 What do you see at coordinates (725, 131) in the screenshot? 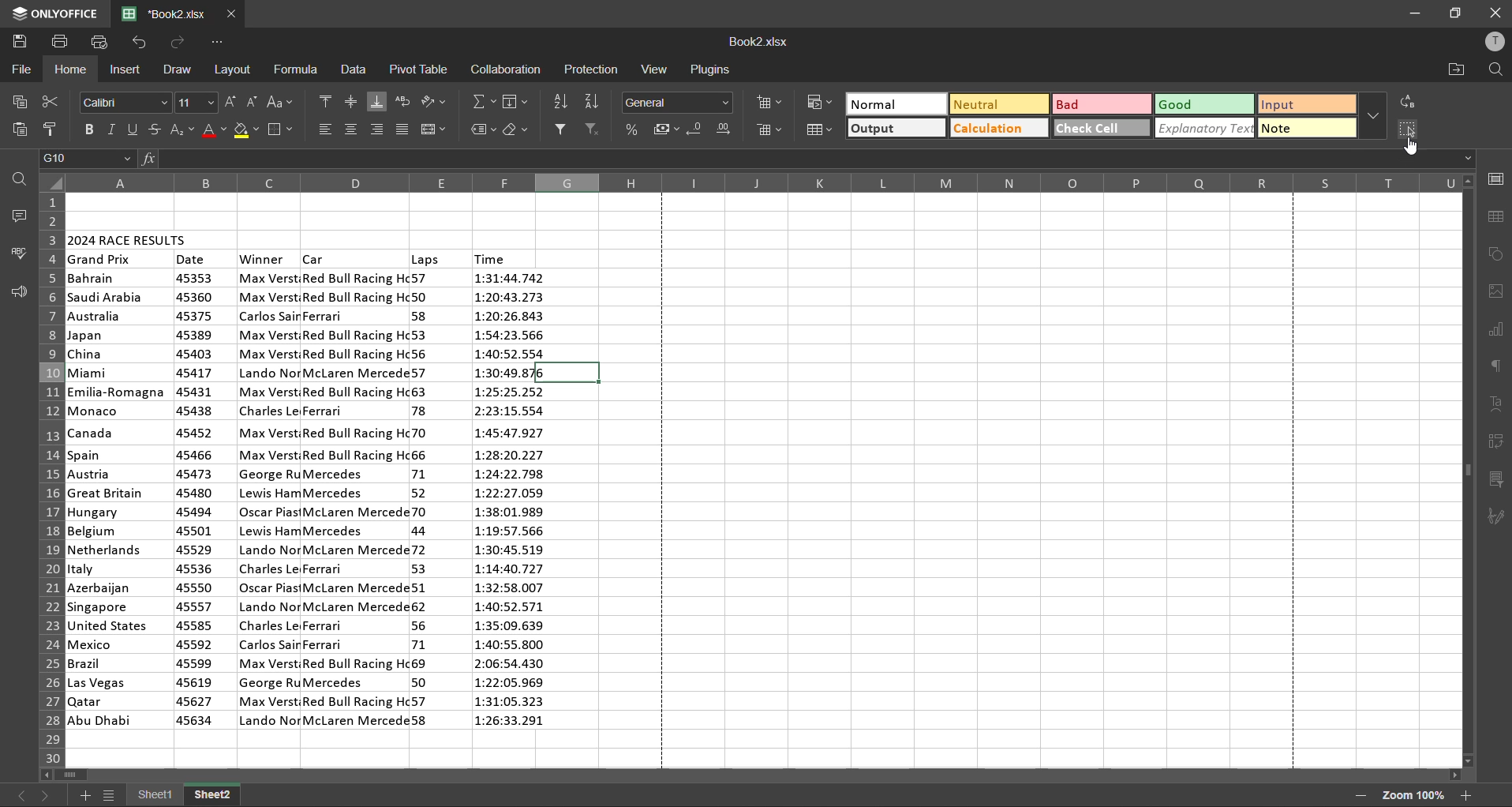
I see `increase decimal` at bounding box center [725, 131].